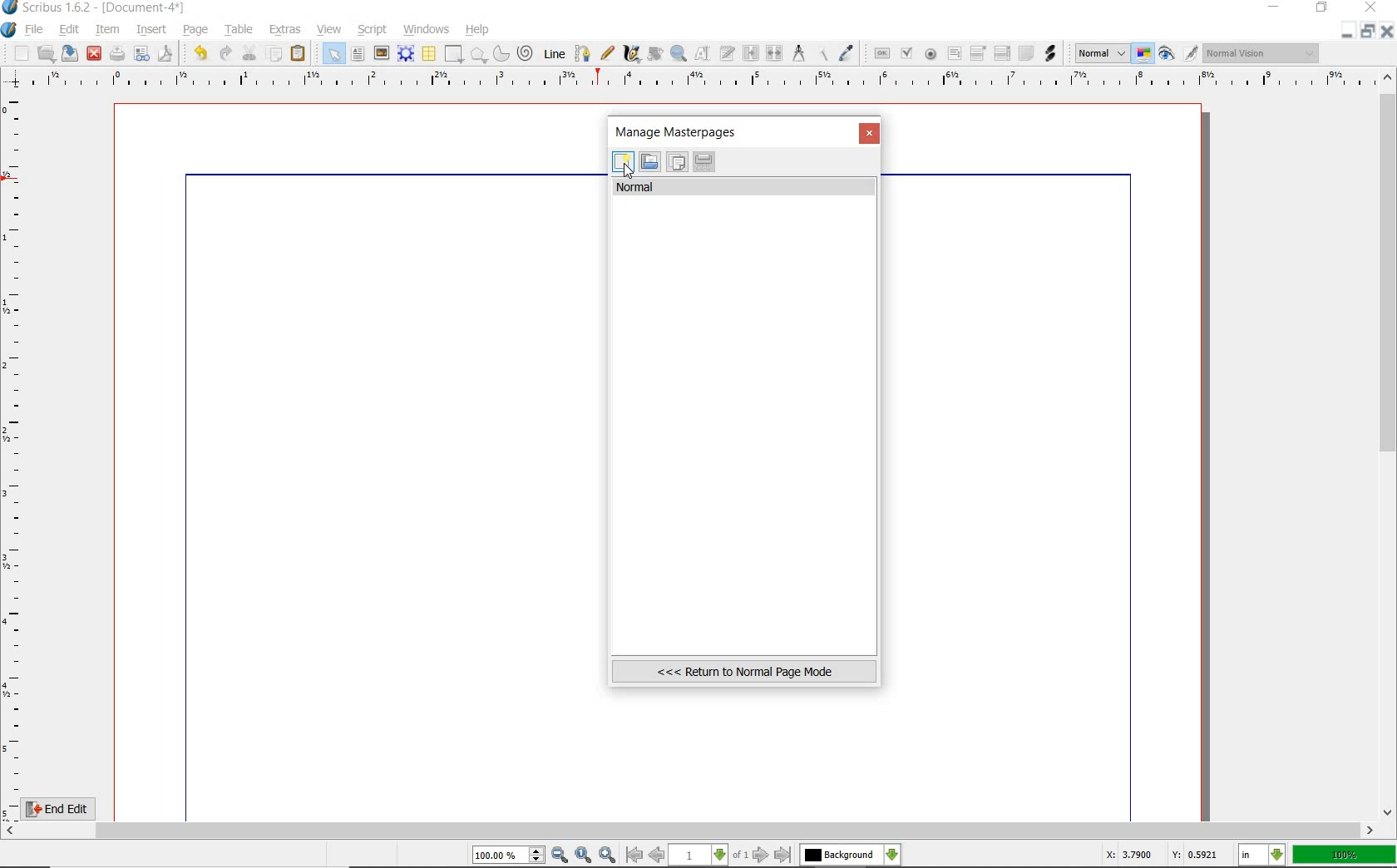 This screenshot has width=1397, height=868. I want to click on minimize, so click(1276, 8).